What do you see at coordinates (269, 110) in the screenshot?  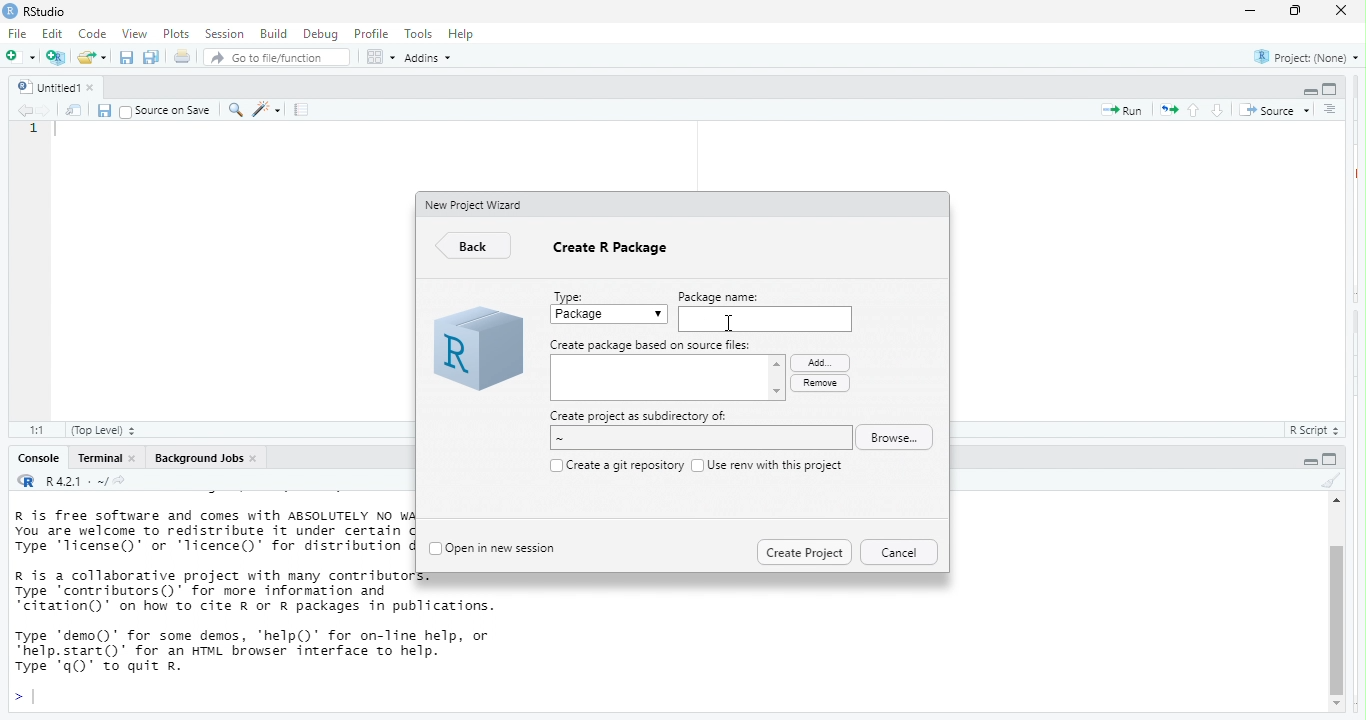 I see `code tools` at bounding box center [269, 110].